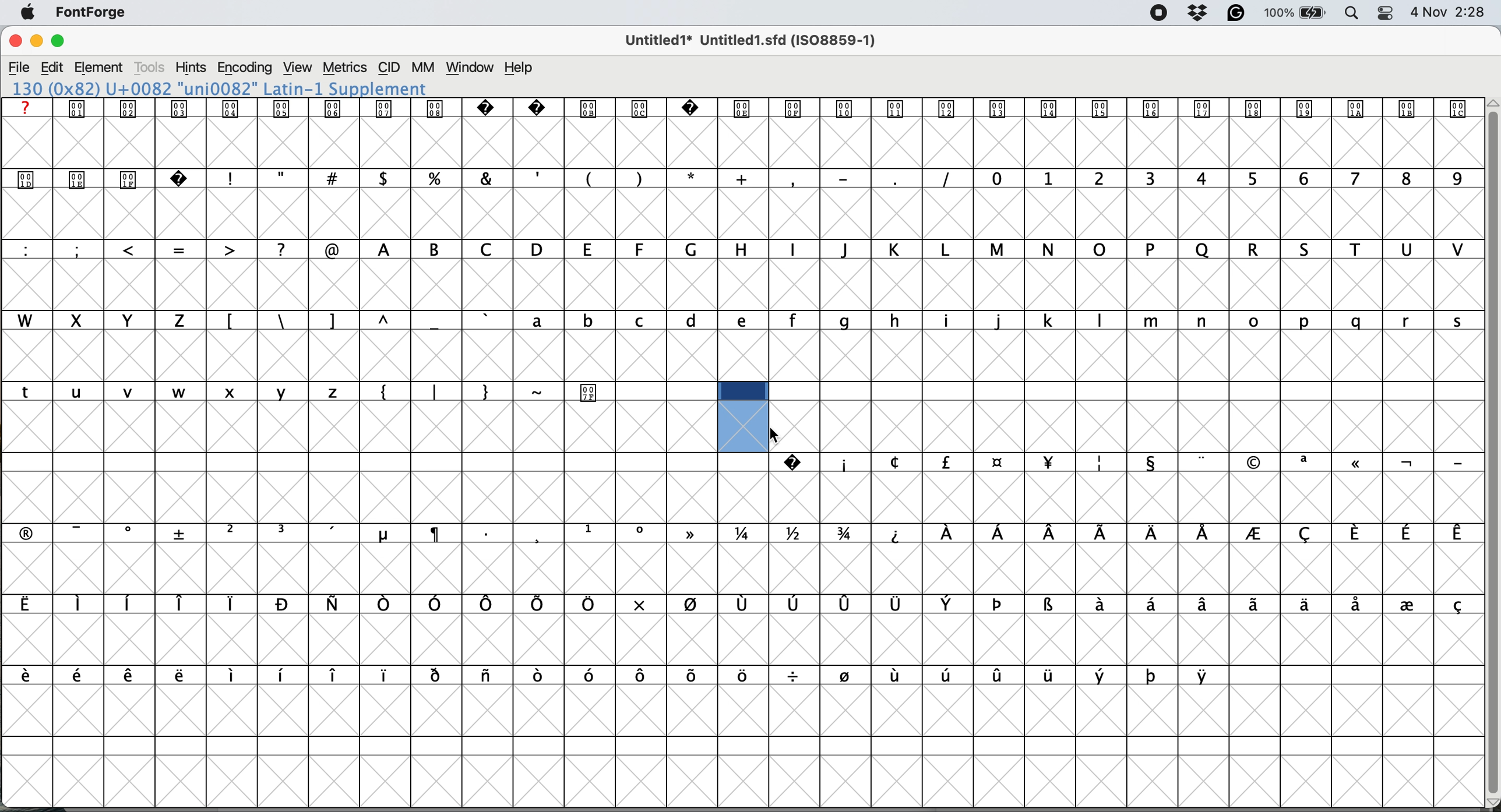 The image size is (1501, 812). Describe the element at coordinates (246, 68) in the screenshot. I see `encoding` at that location.